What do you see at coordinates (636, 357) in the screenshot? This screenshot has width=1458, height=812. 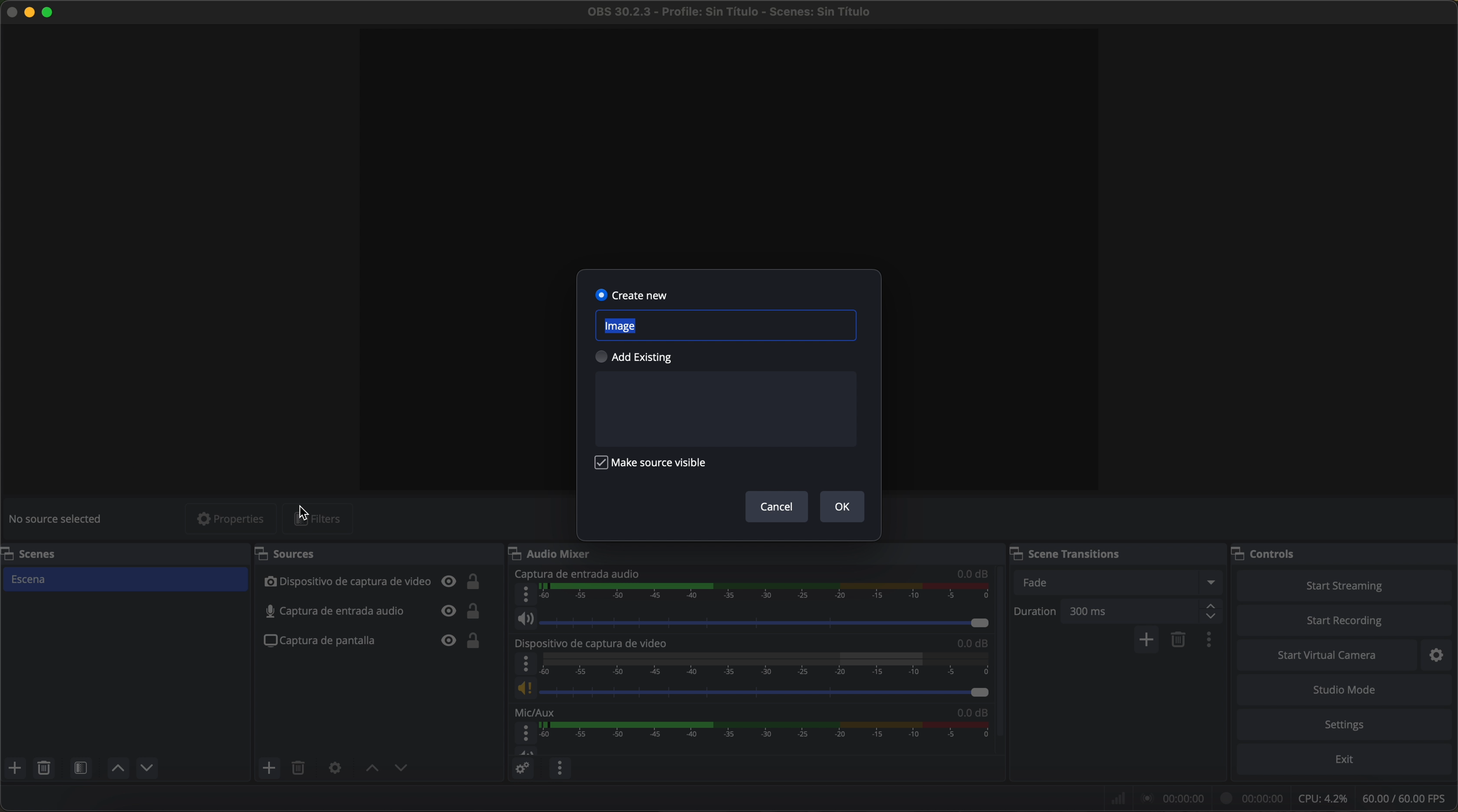 I see `add existing` at bounding box center [636, 357].